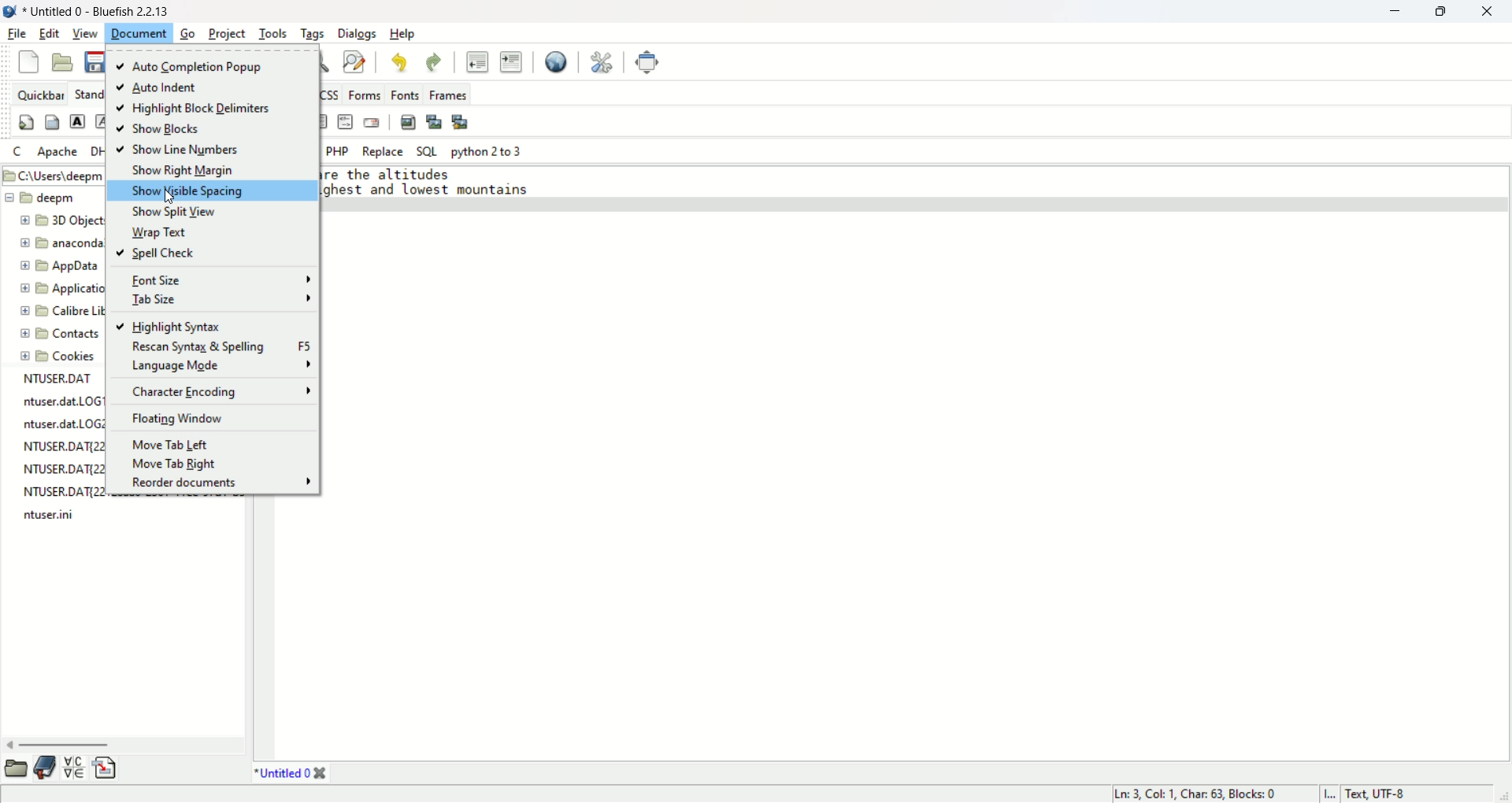  Describe the element at coordinates (183, 172) in the screenshot. I see `show right margin` at that location.